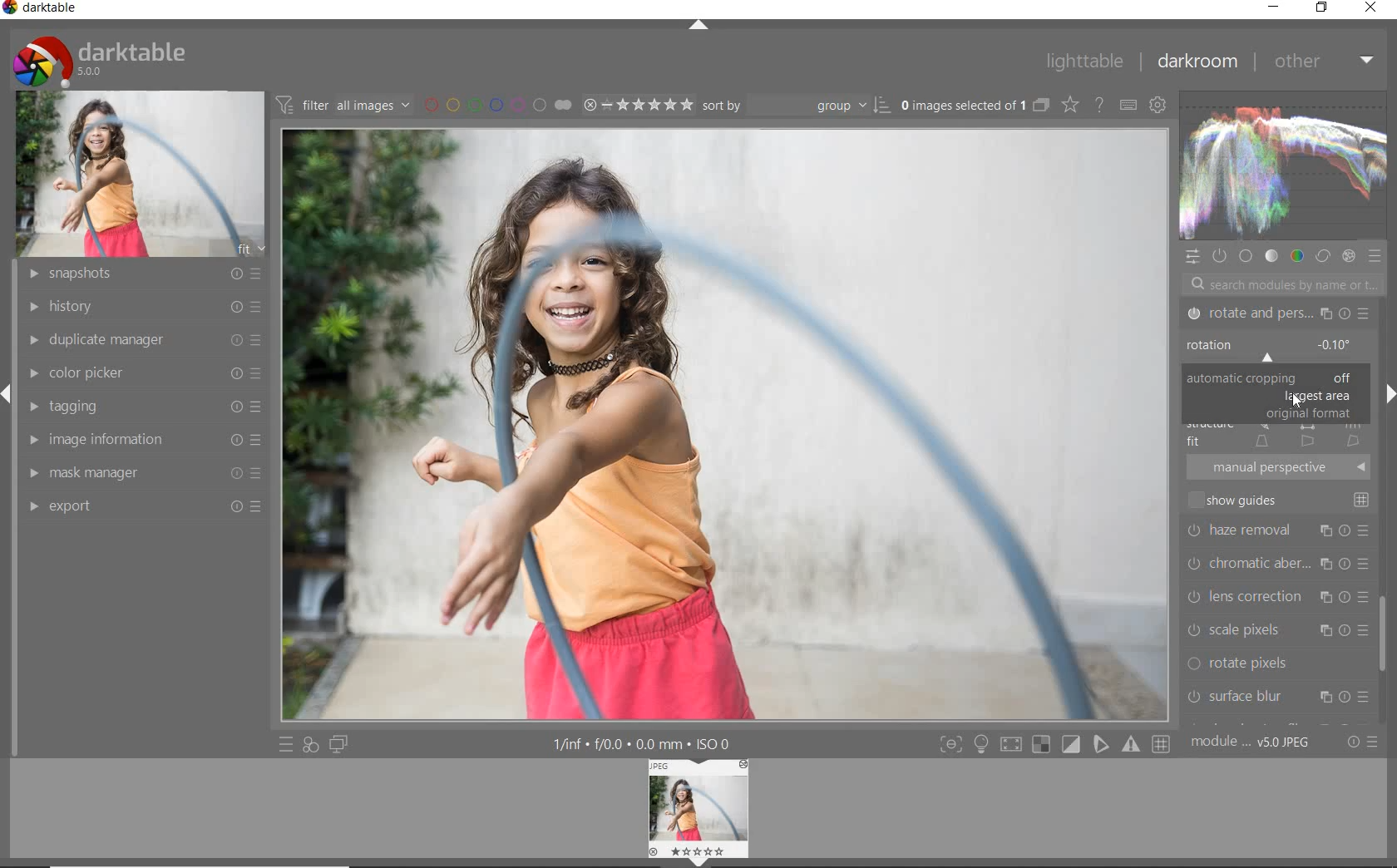 The image size is (1397, 868). What do you see at coordinates (1054, 744) in the screenshot?
I see `toggle mode` at bounding box center [1054, 744].